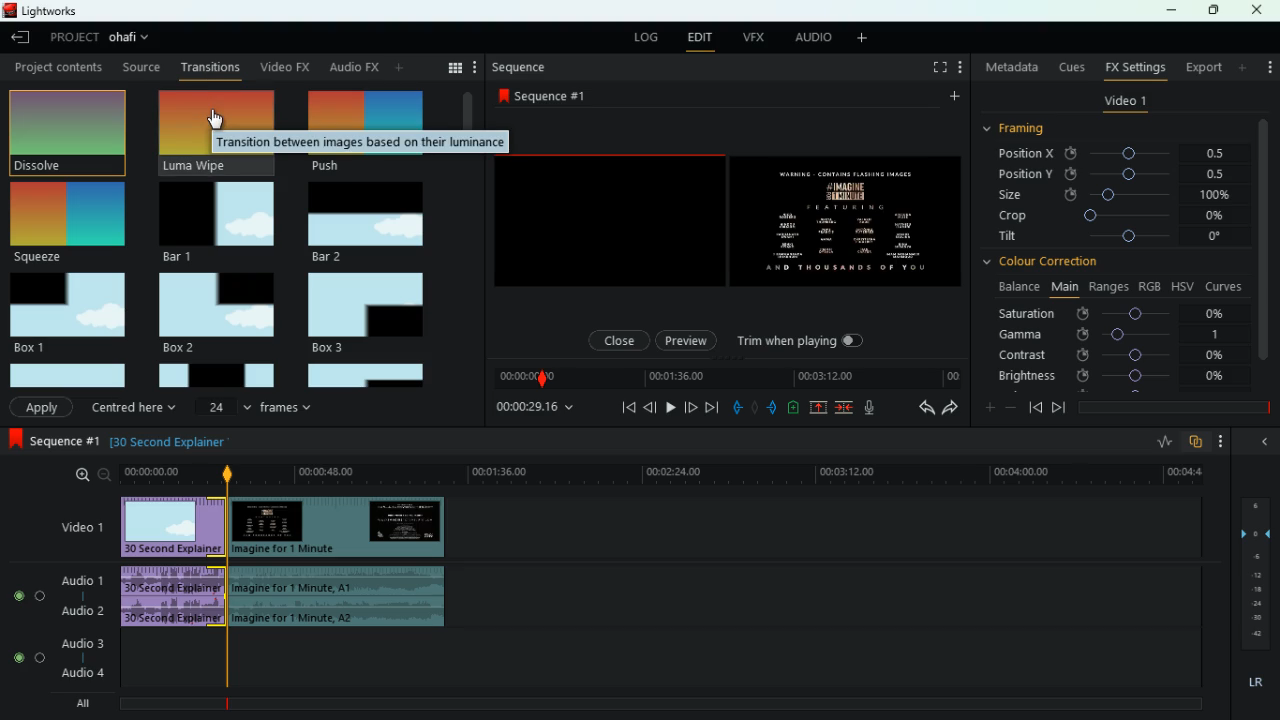  I want to click on front, so click(1059, 407).